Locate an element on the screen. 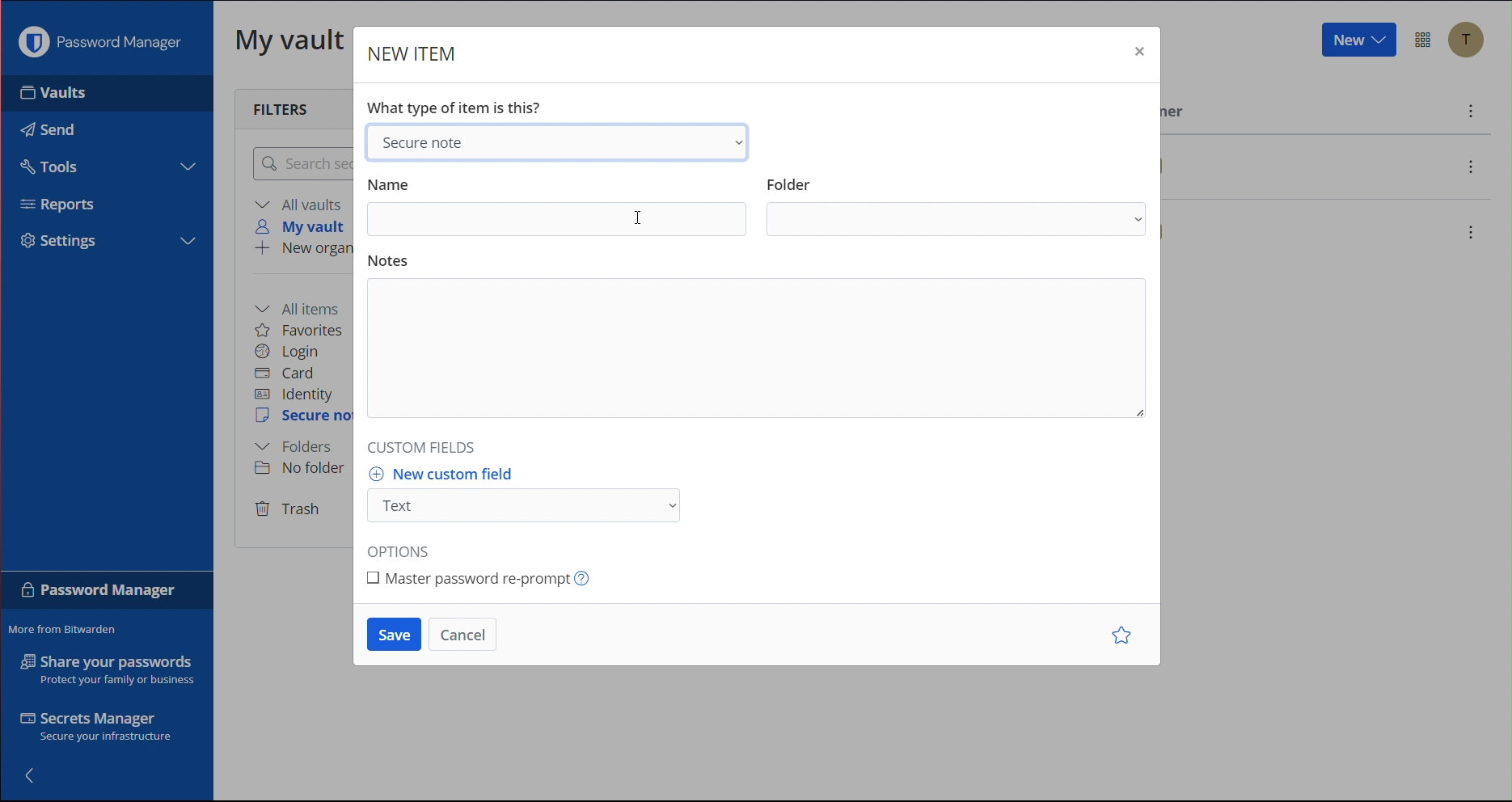 This screenshot has width=1512, height=802. Secrets Manager is located at coordinates (94, 726).